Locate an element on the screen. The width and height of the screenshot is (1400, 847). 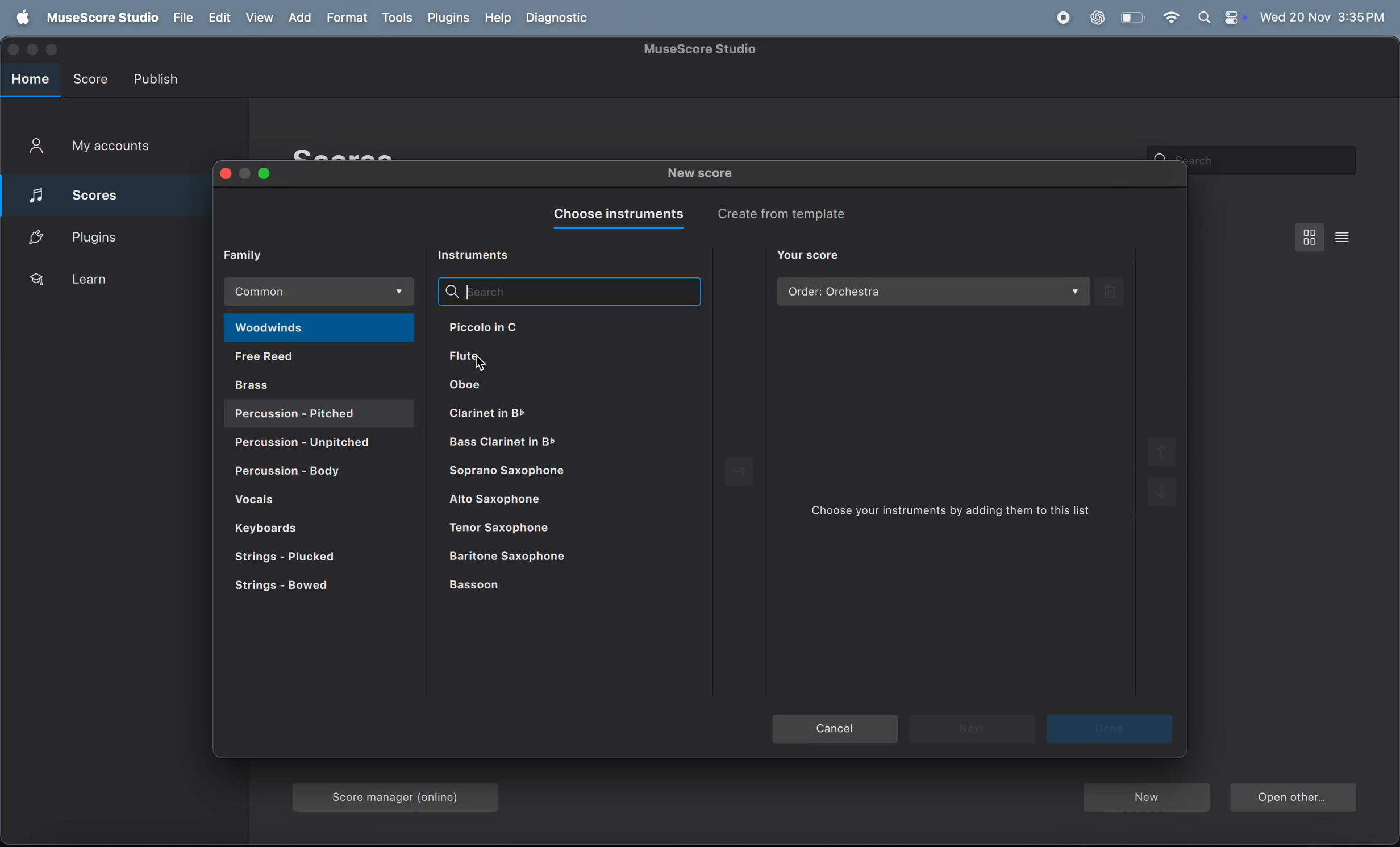
My account is located at coordinates (90, 148).